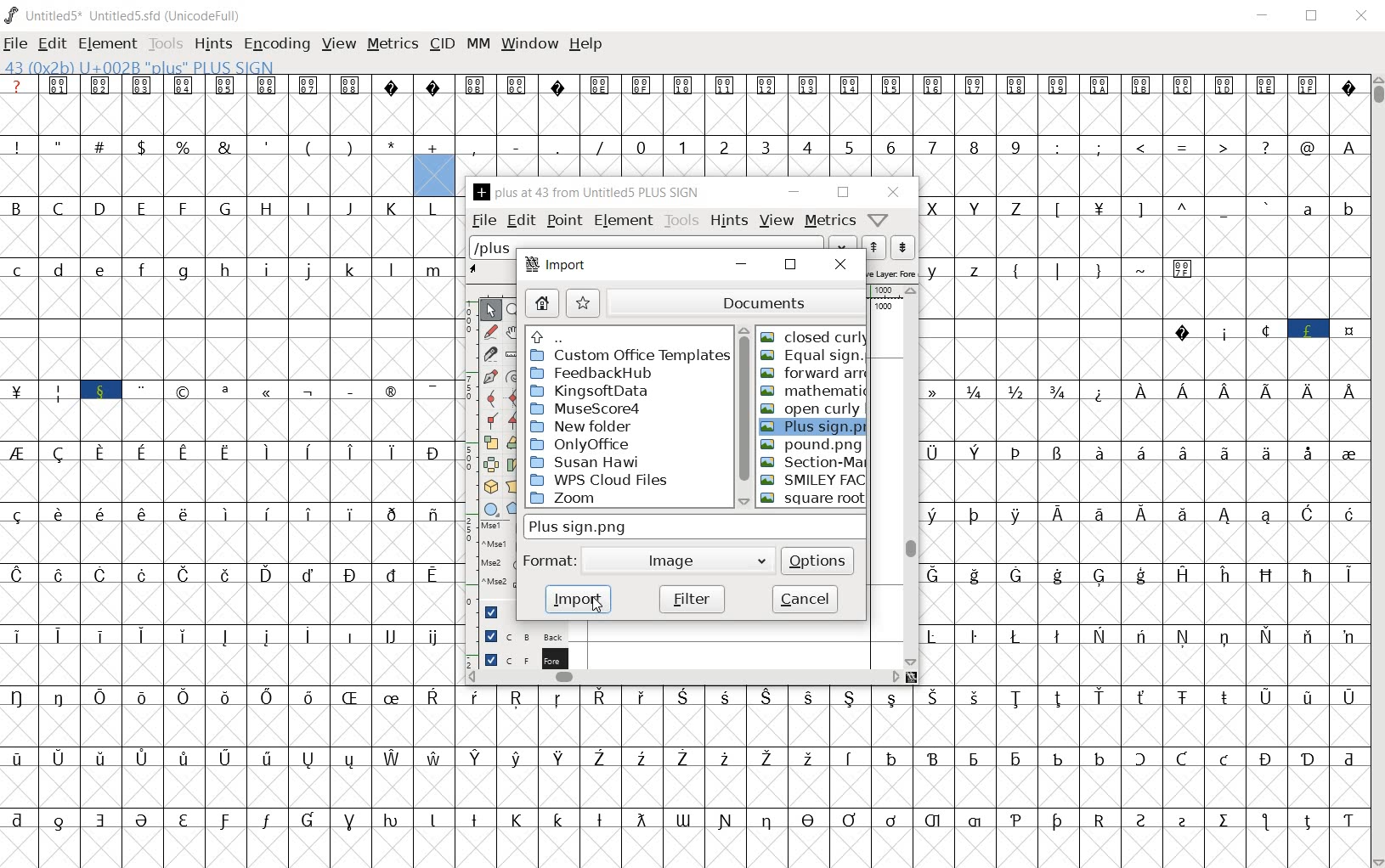  What do you see at coordinates (743, 266) in the screenshot?
I see `minimize` at bounding box center [743, 266].